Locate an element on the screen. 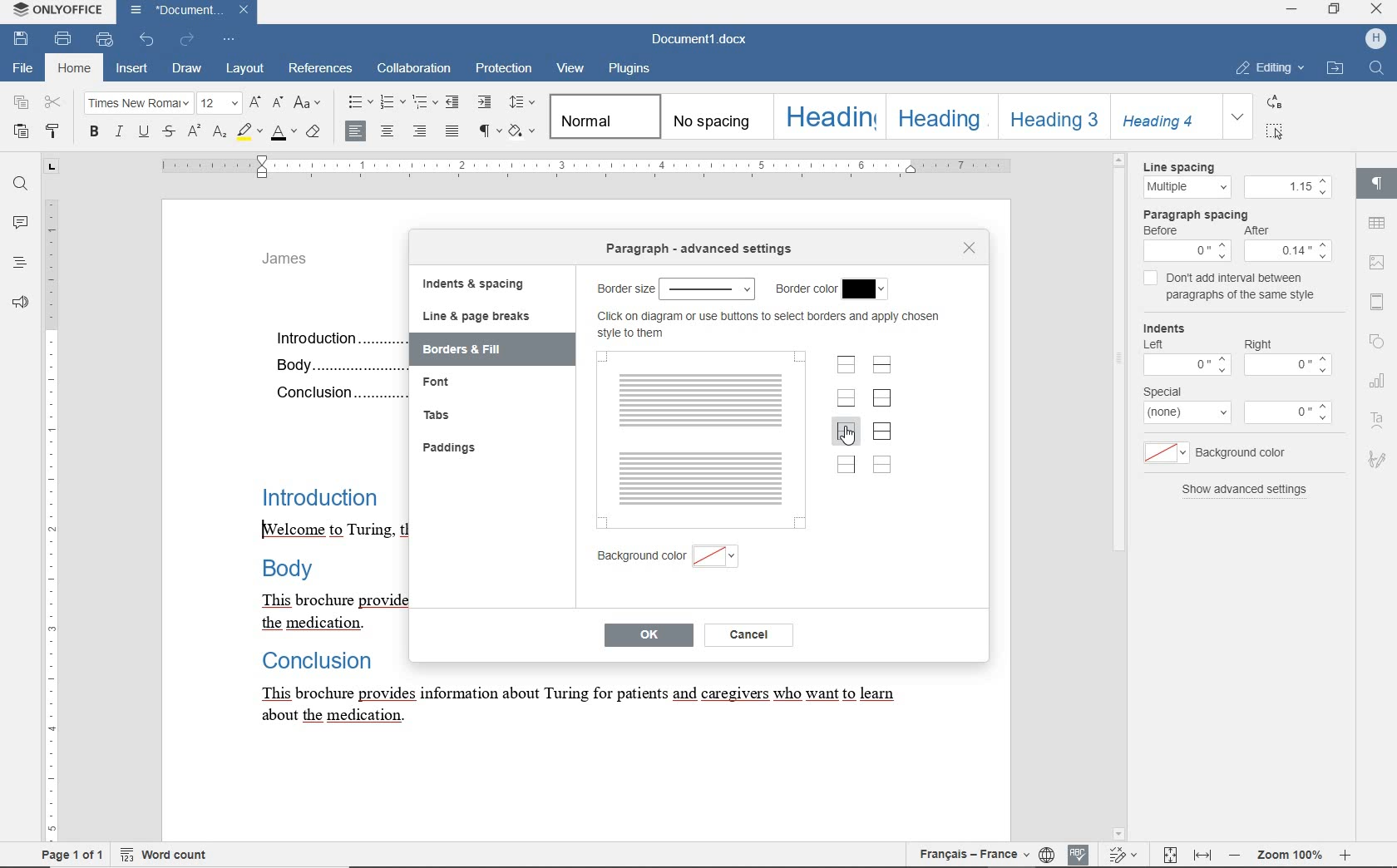  font color is located at coordinates (284, 133).